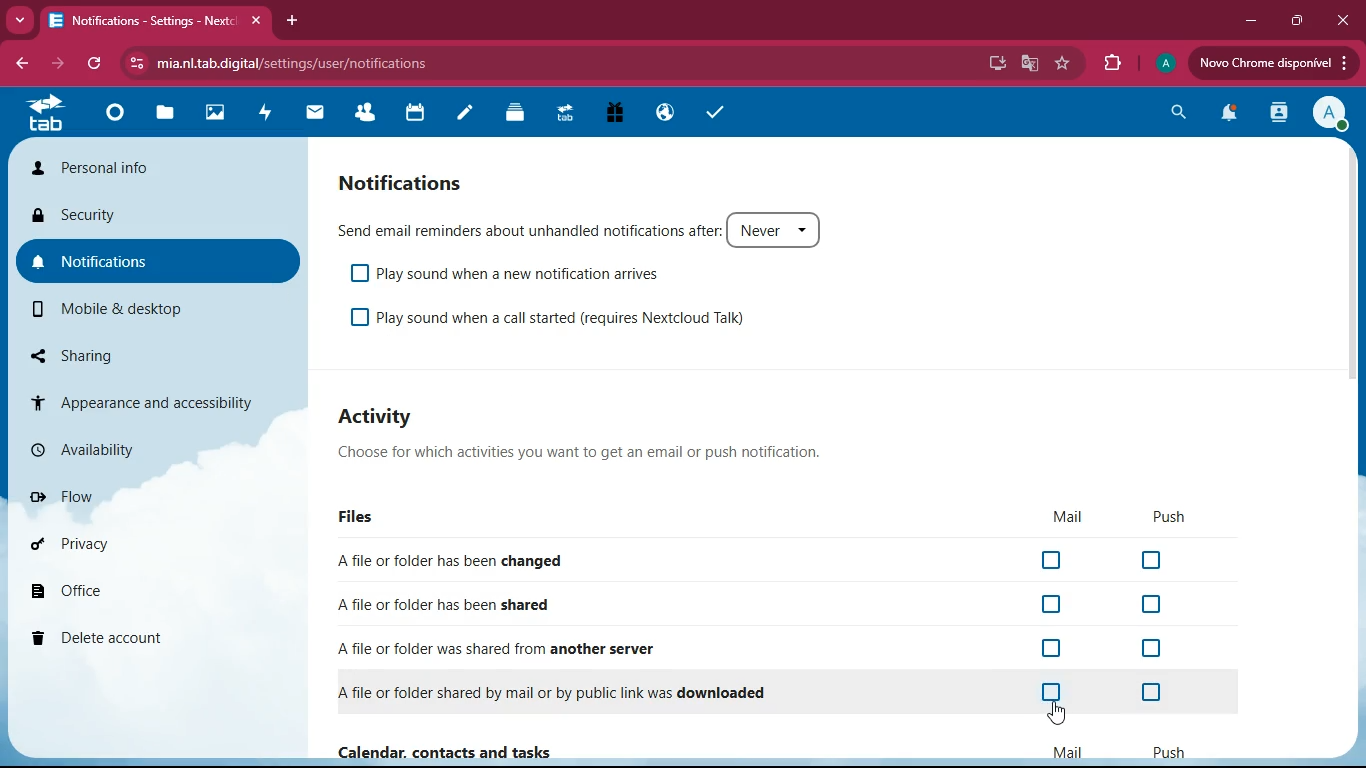  I want to click on shared, so click(455, 600).